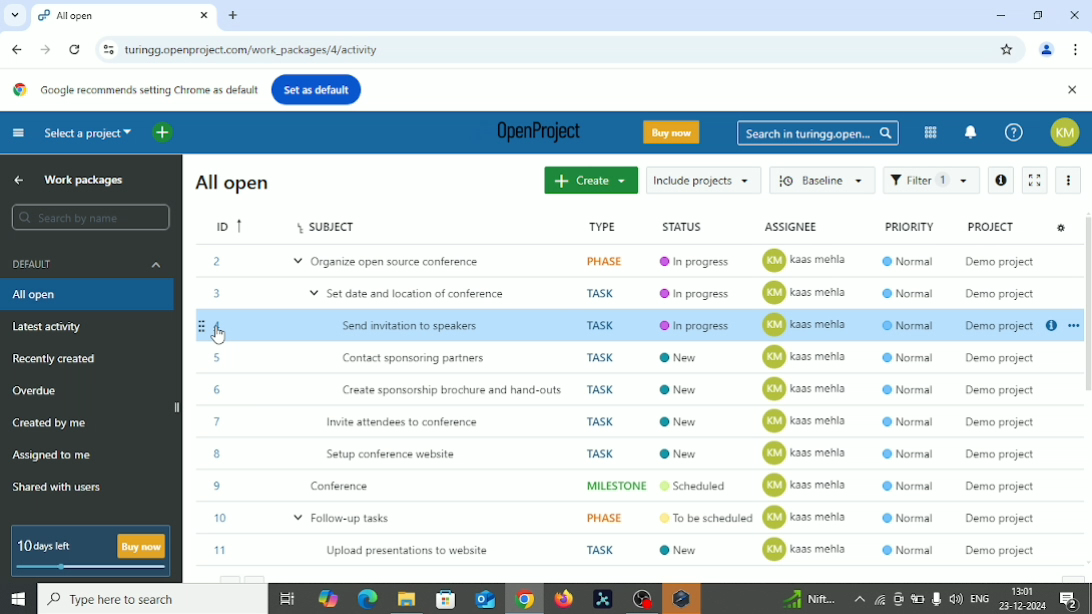 The height and width of the screenshot is (614, 1092). I want to click on Search, so click(91, 218).